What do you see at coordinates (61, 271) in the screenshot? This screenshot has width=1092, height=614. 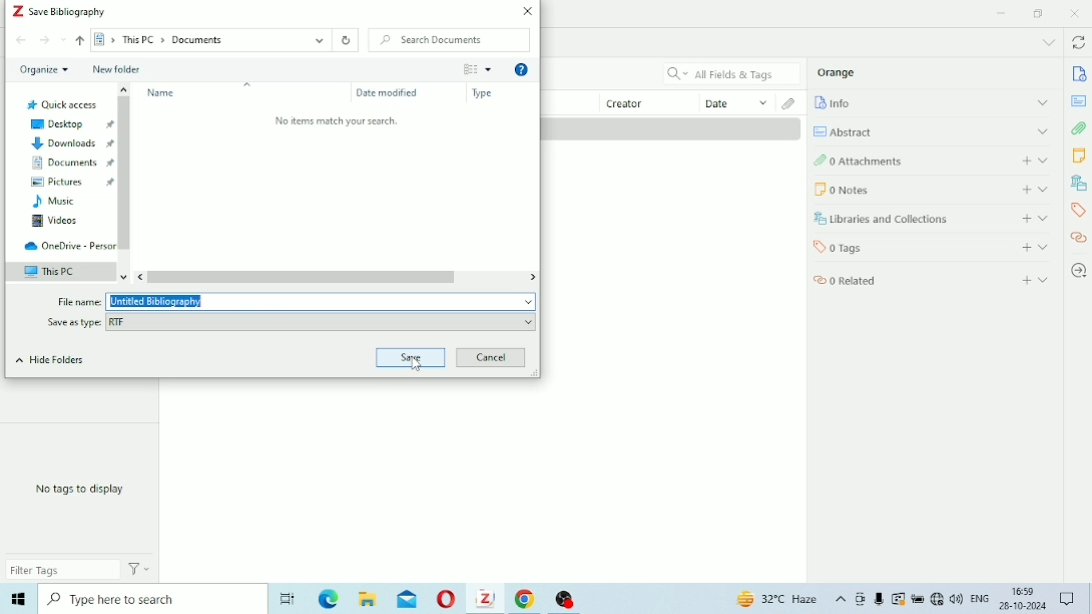 I see `This PC` at bounding box center [61, 271].